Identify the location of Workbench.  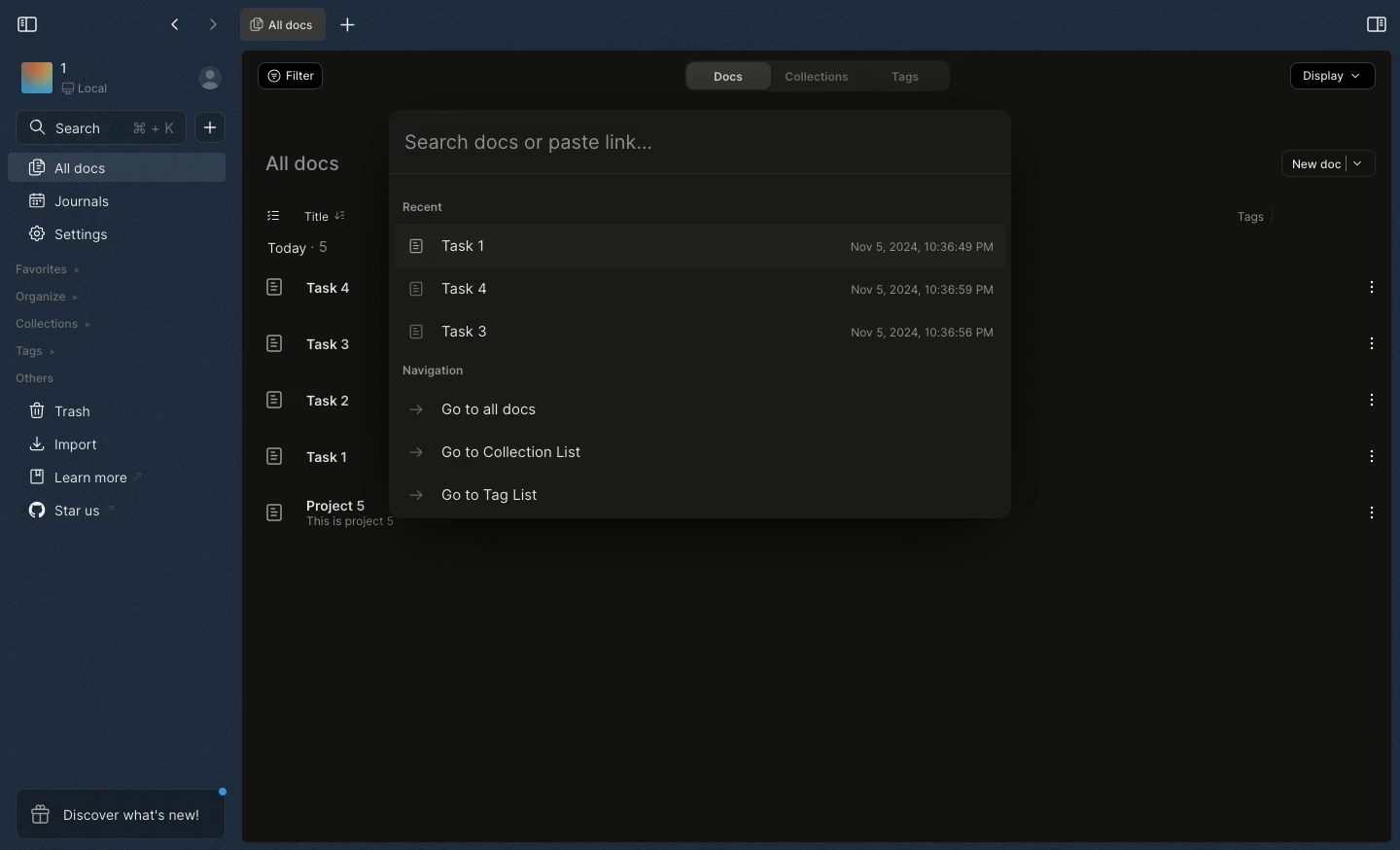
(78, 82).